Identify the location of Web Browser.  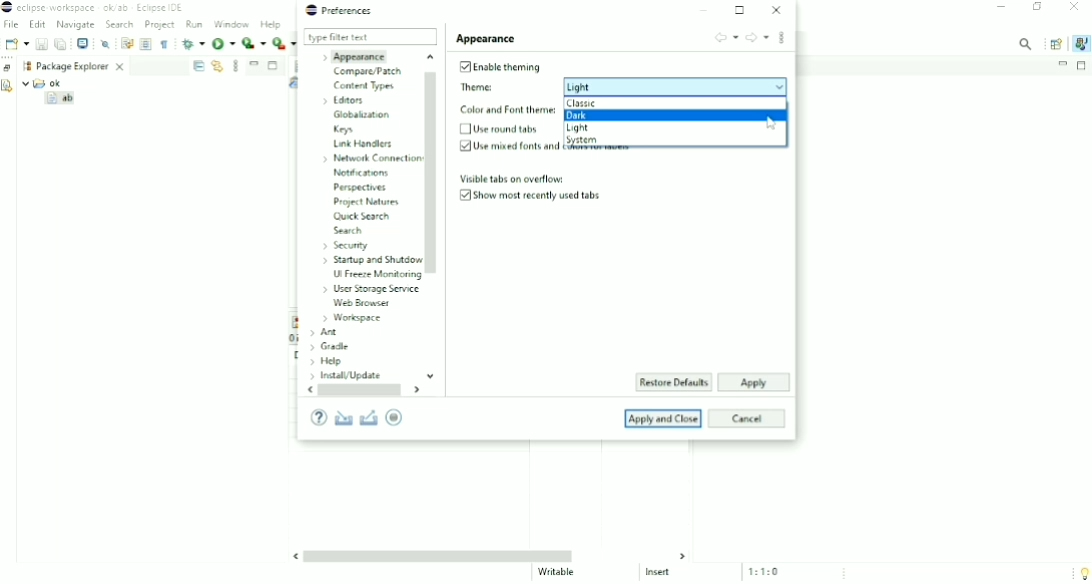
(362, 304).